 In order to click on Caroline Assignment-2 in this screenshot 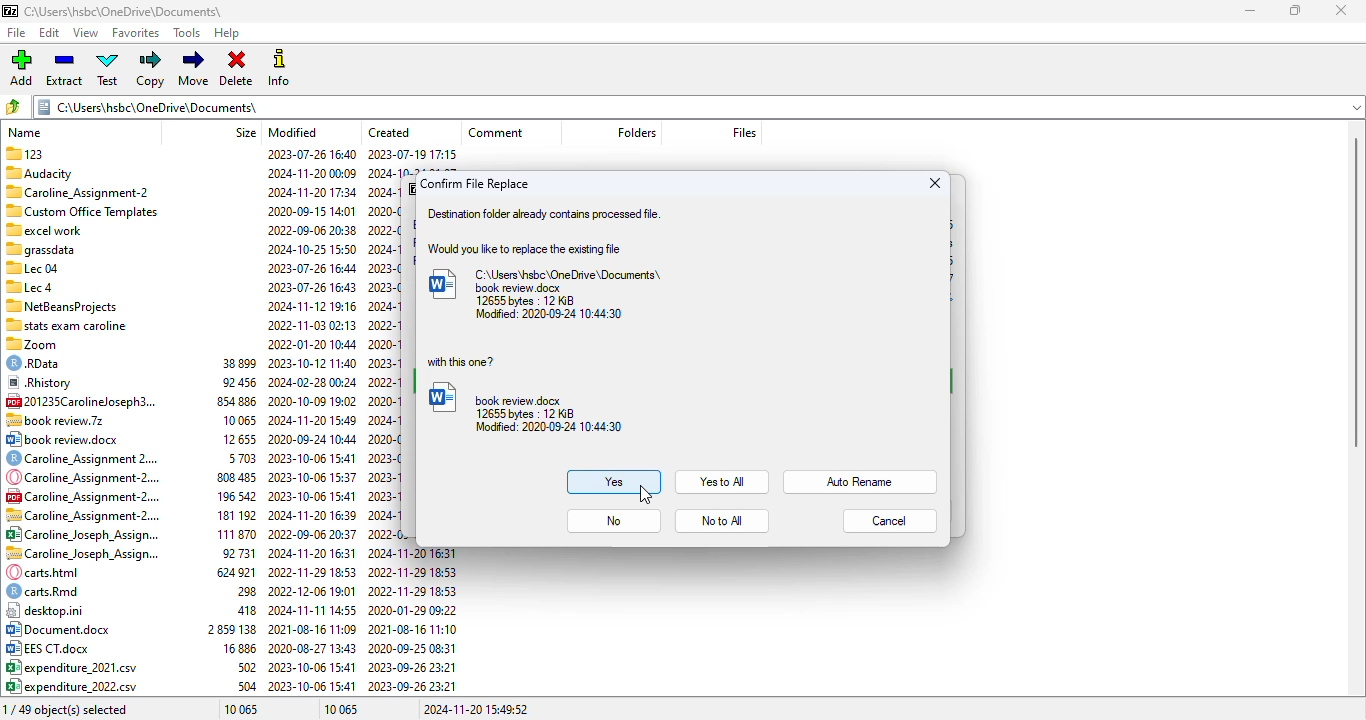, I will do `click(77, 192)`.